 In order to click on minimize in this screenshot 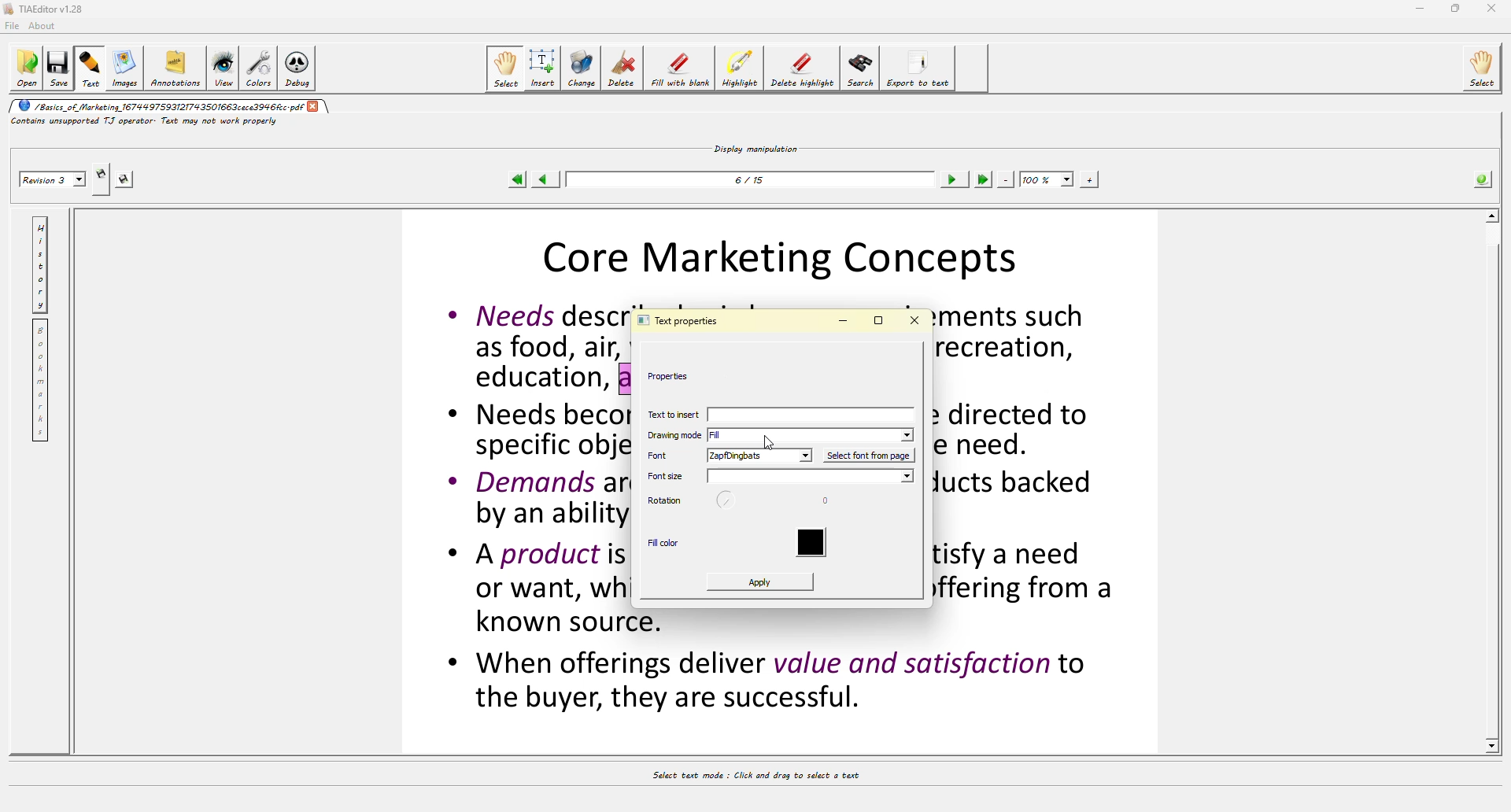, I will do `click(1419, 9)`.